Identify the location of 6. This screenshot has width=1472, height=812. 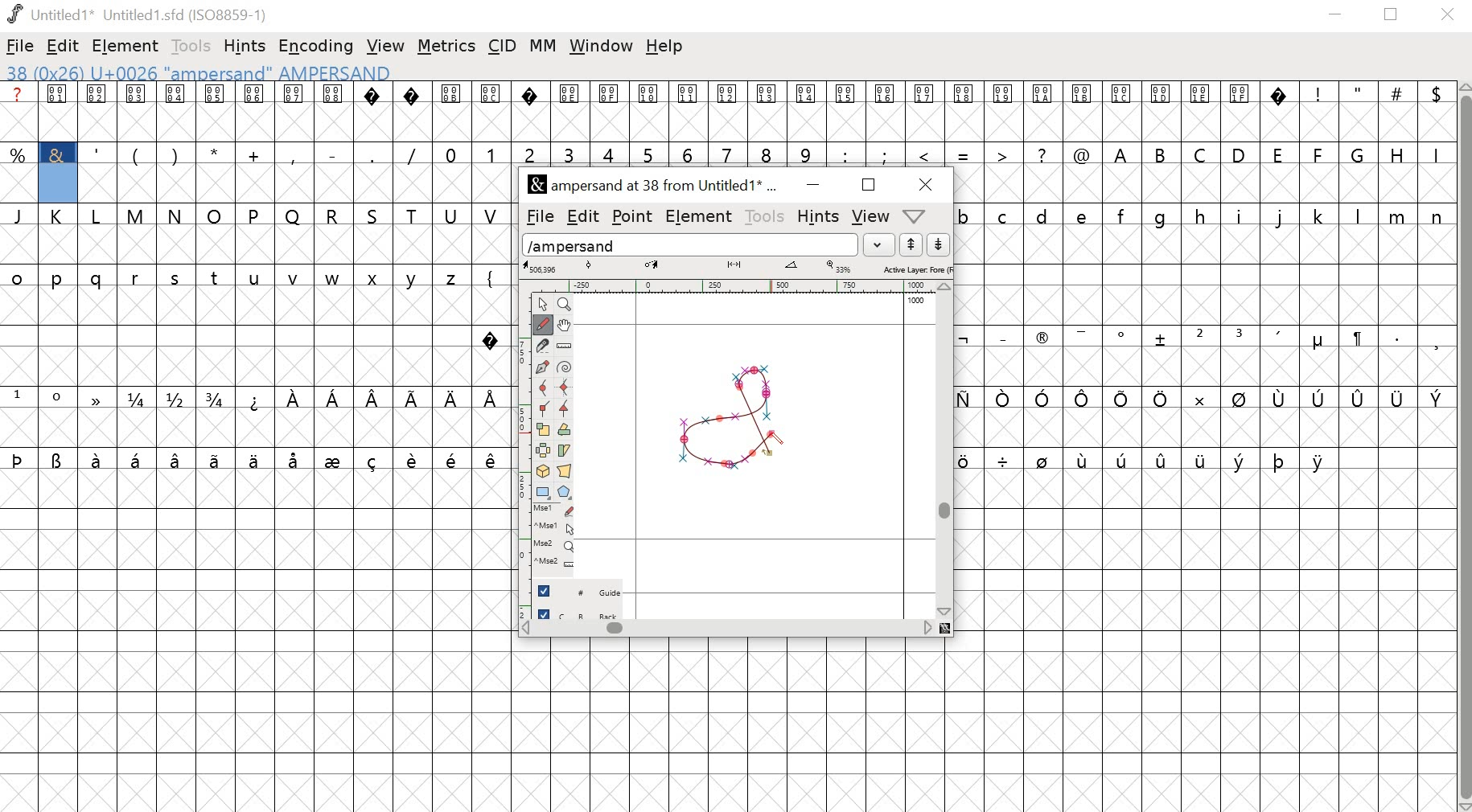
(691, 153).